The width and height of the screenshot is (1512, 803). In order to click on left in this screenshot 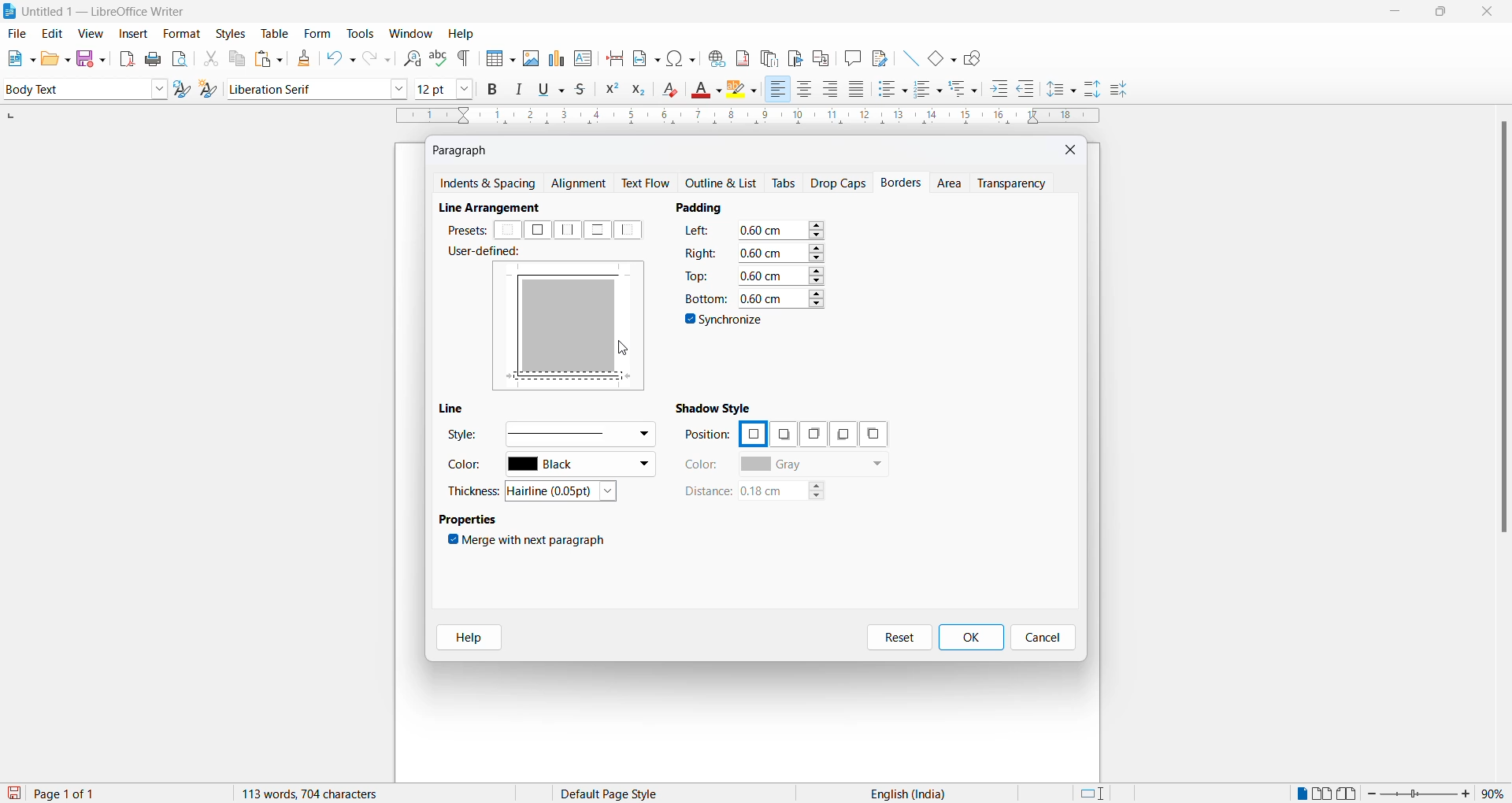, I will do `click(632, 230)`.